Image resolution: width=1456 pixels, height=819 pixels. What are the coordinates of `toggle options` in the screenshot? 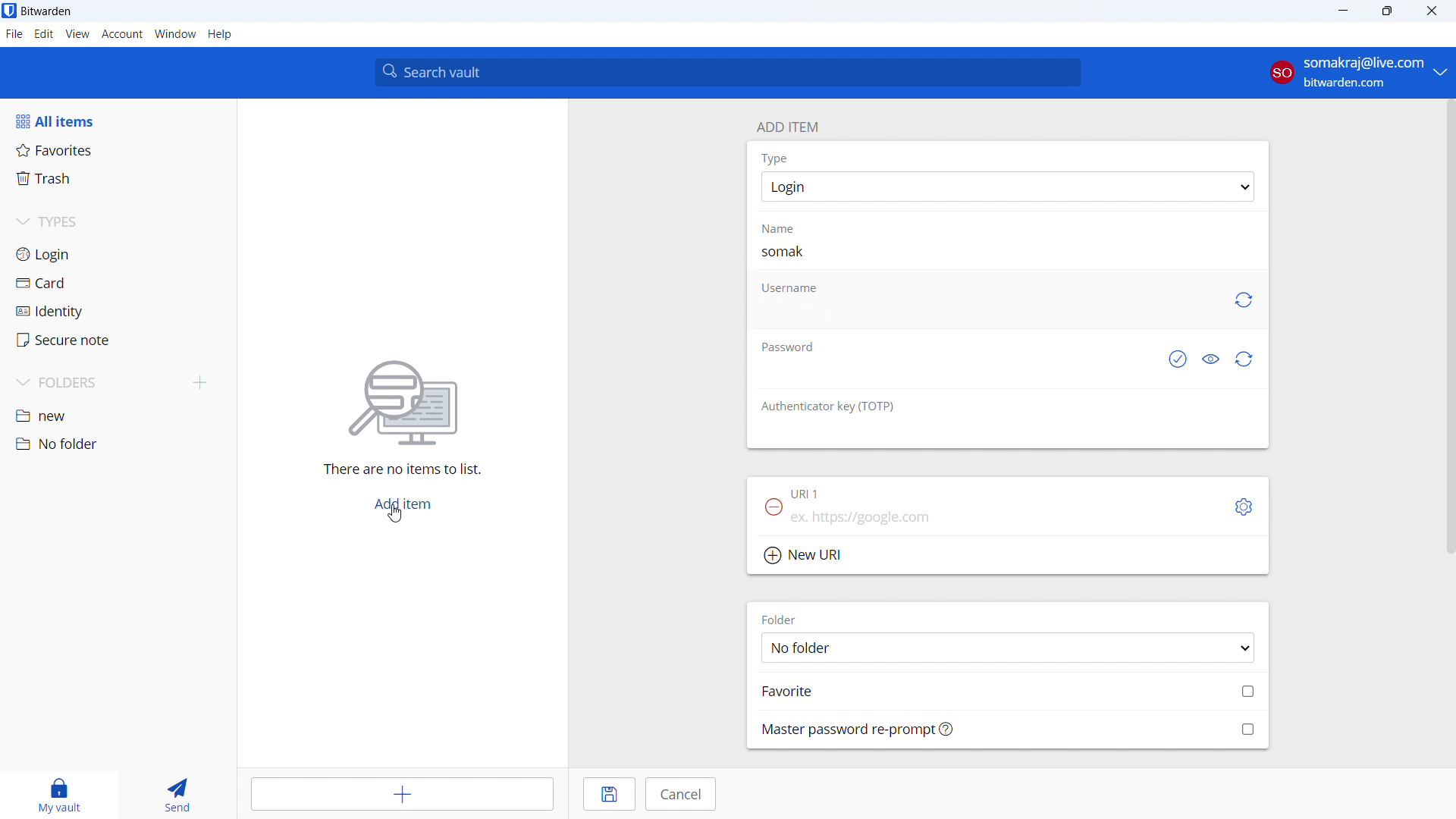 It's located at (1244, 507).